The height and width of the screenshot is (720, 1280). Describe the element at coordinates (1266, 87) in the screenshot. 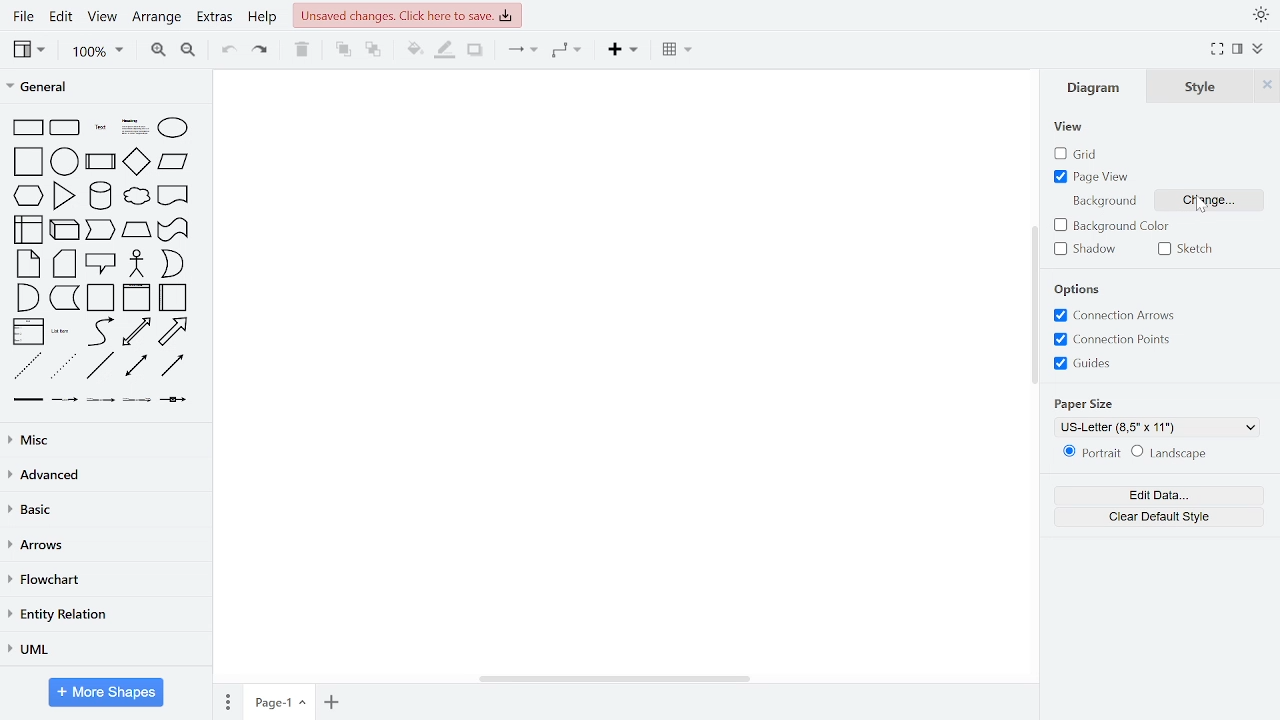

I see `close` at that location.